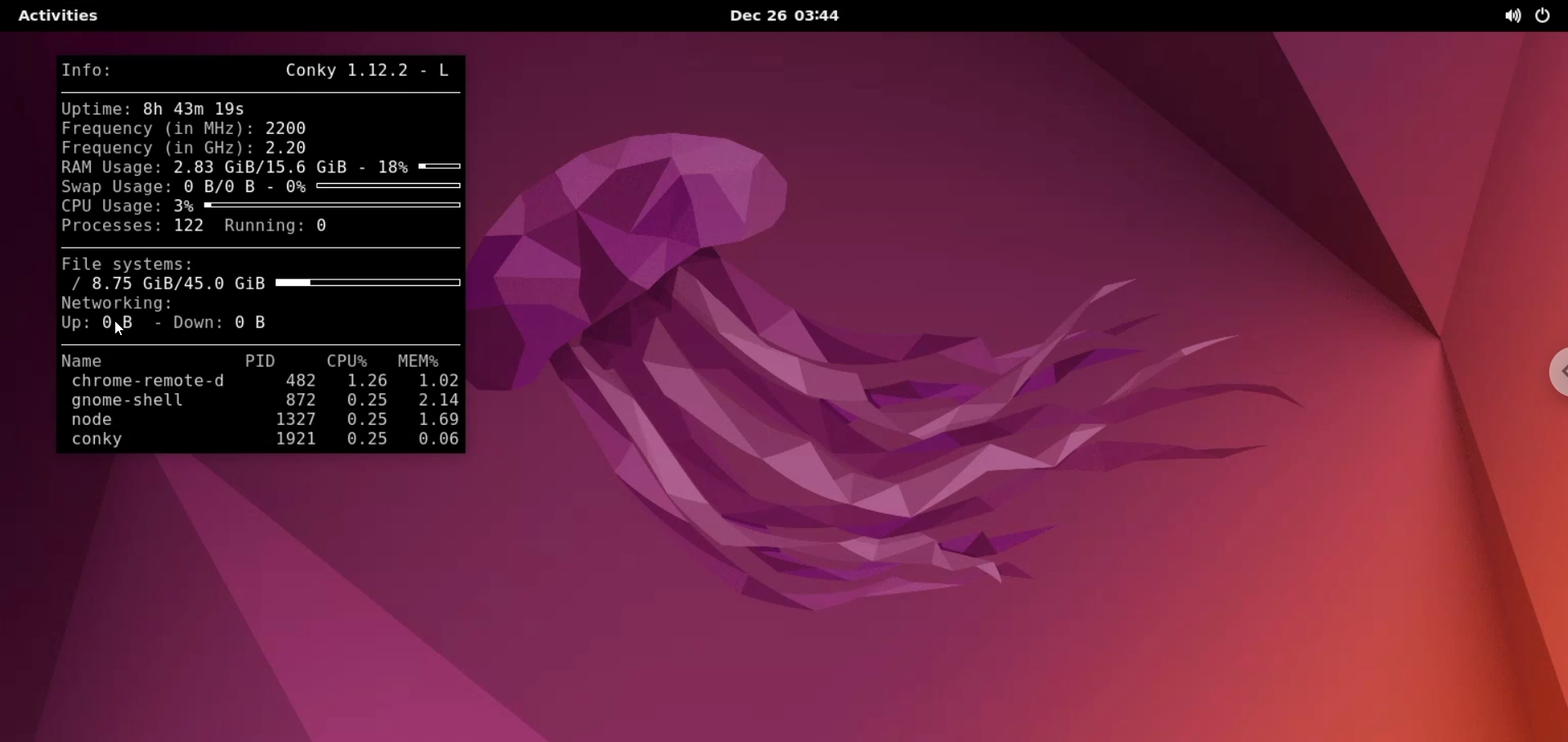  Describe the element at coordinates (109, 168) in the screenshot. I see `RAM usage:` at that location.